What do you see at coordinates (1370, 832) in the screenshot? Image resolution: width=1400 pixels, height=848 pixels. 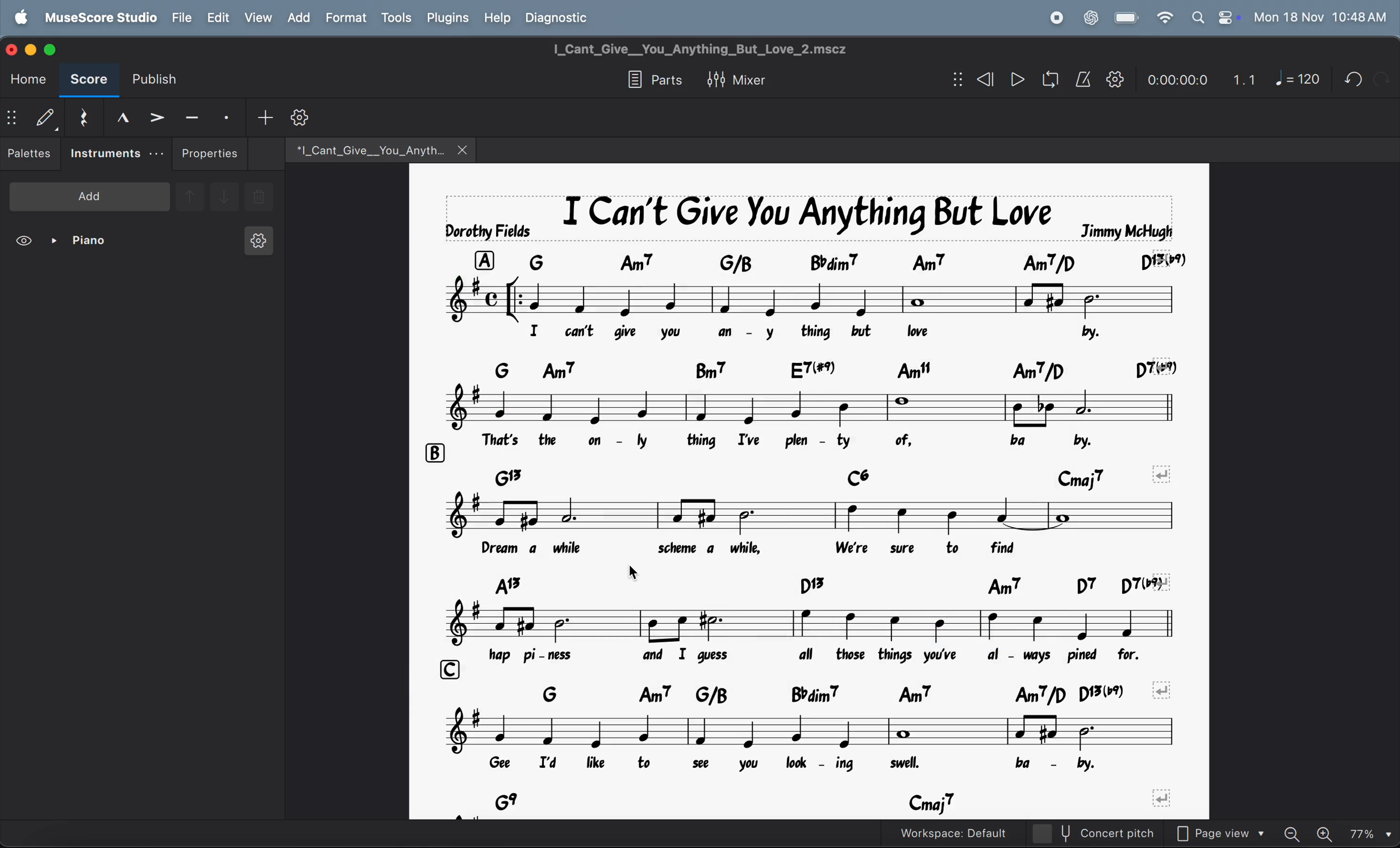 I see `77%` at bounding box center [1370, 832].